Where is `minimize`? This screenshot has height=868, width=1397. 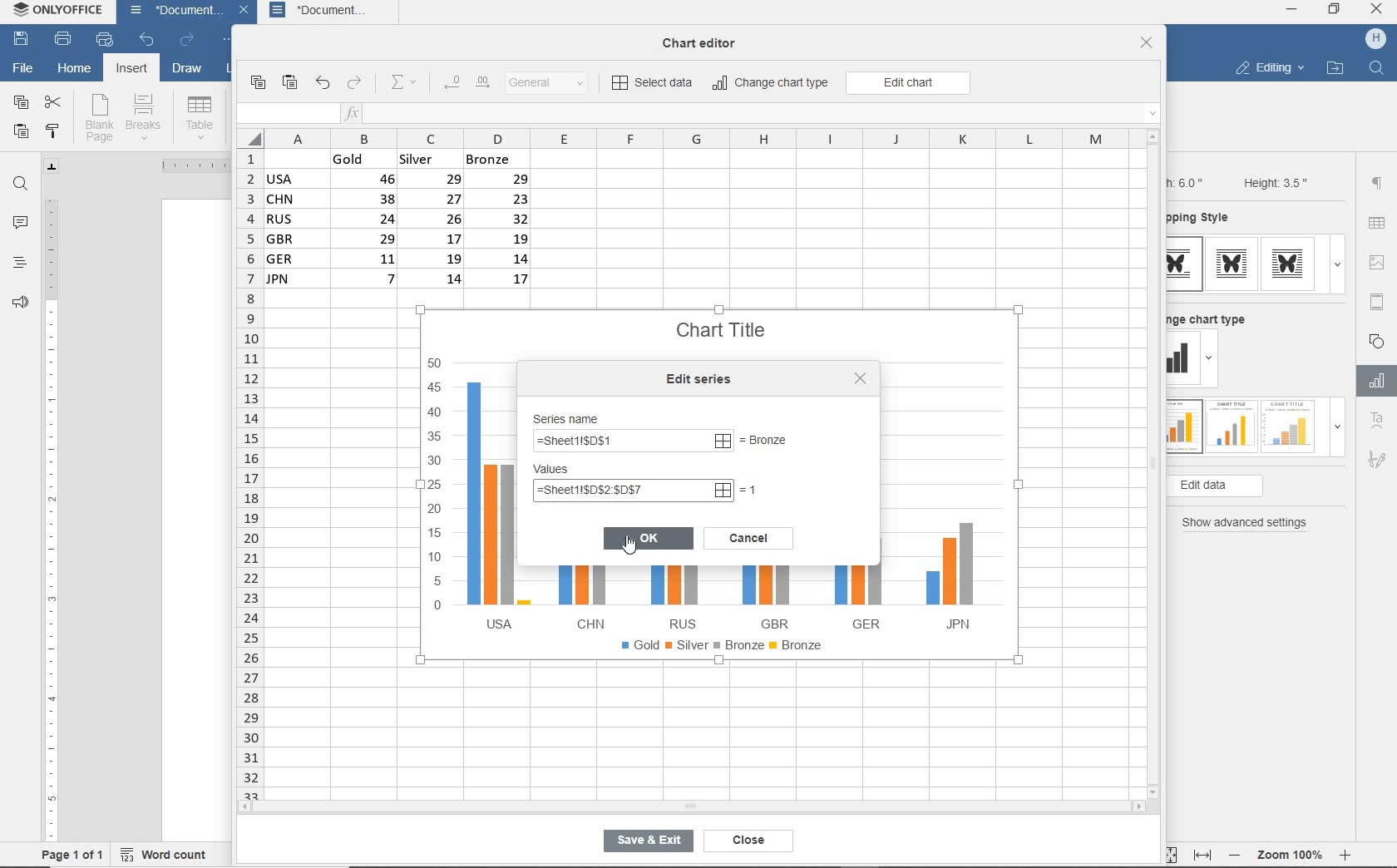 minimize is located at coordinates (1292, 9).